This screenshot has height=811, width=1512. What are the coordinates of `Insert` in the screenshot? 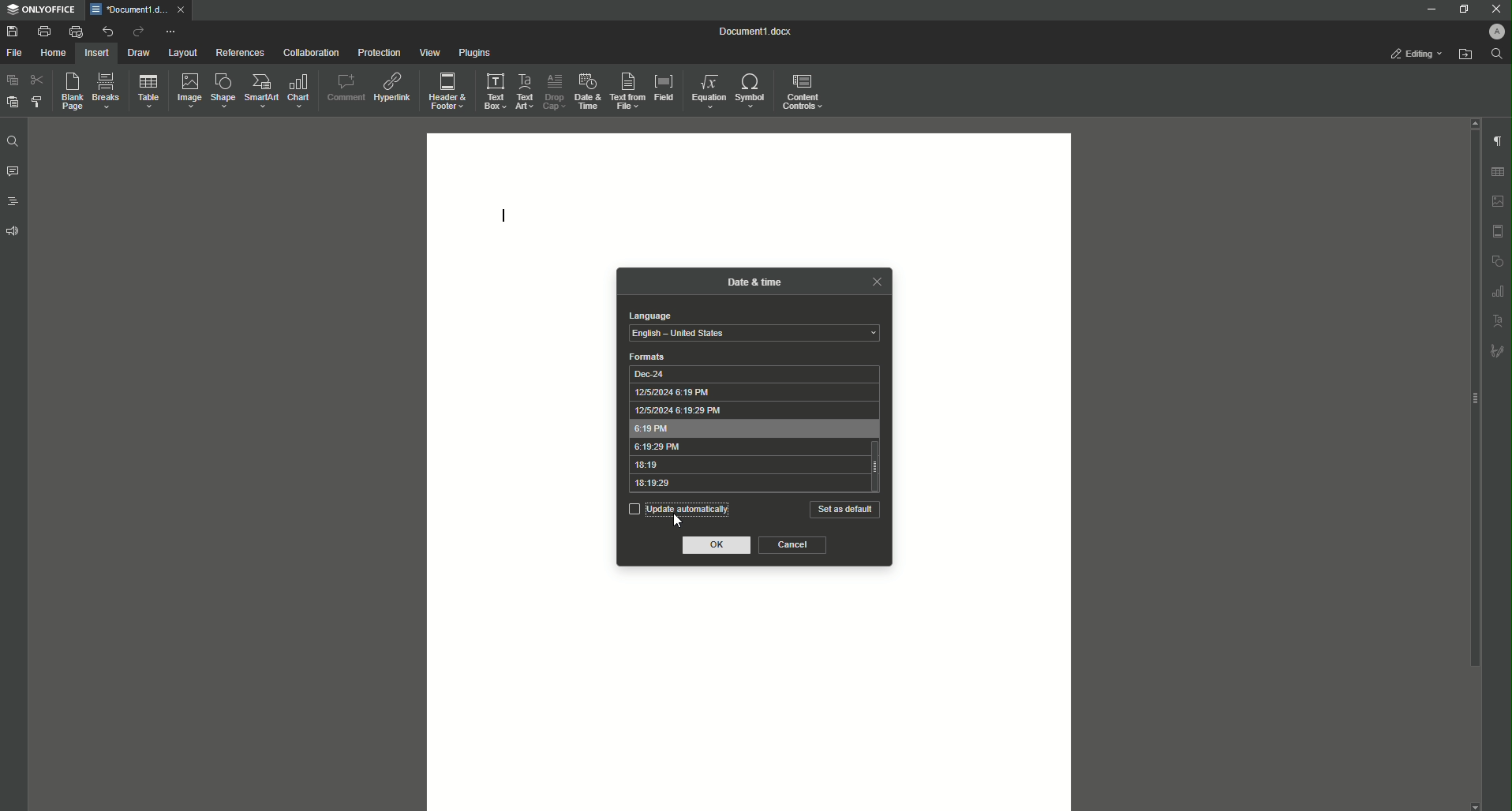 It's located at (97, 52).